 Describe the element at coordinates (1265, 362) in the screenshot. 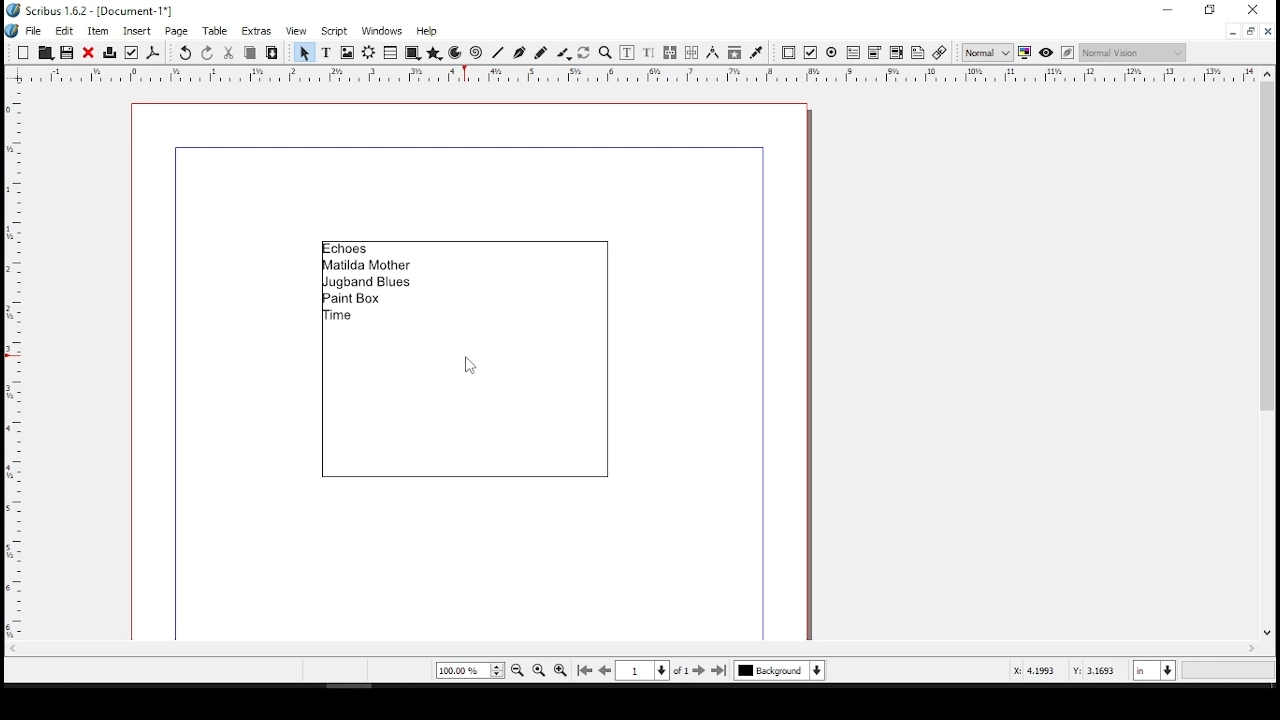

I see `scroll bar` at that location.